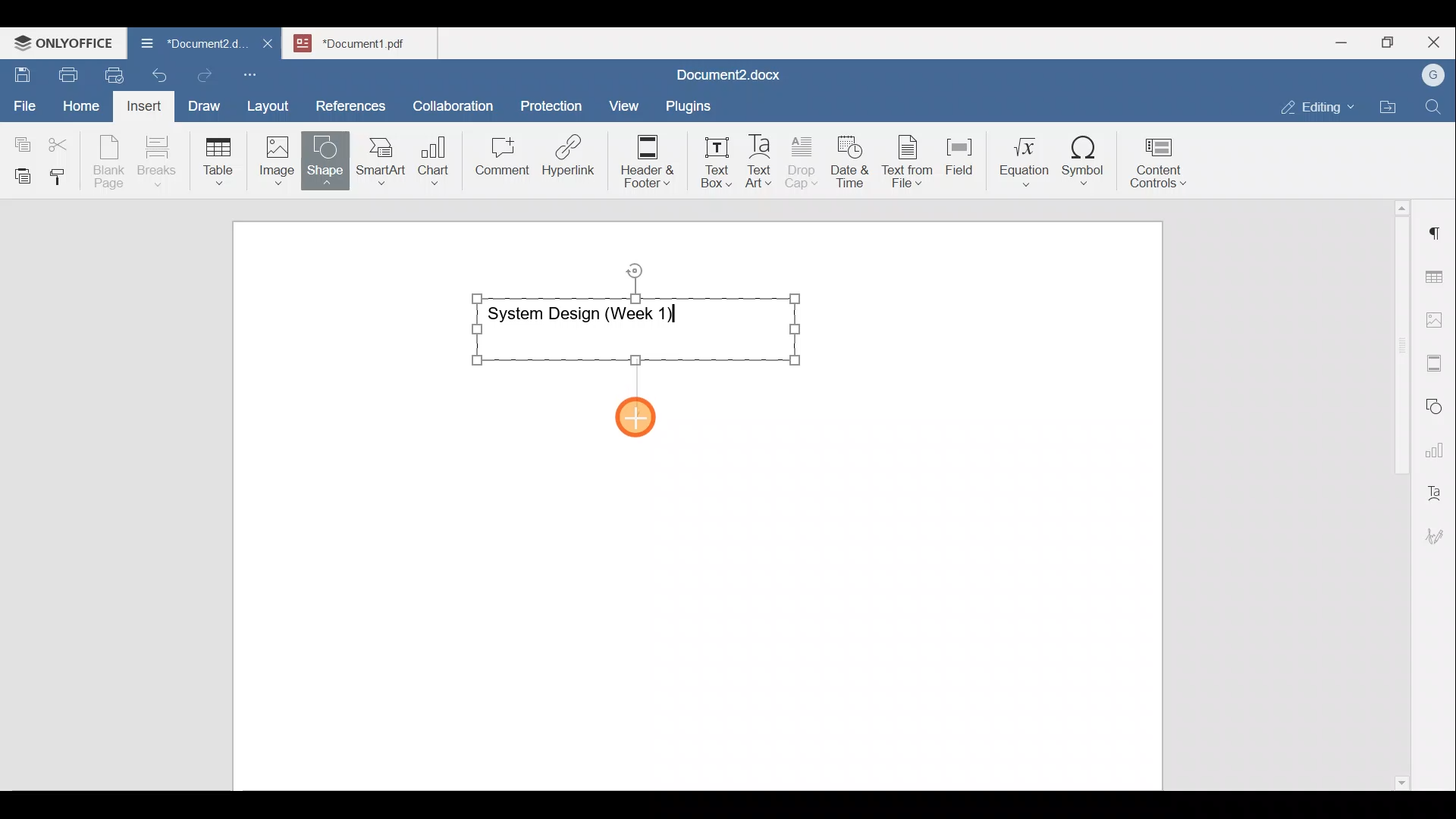 This screenshot has height=819, width=1456. I want to click on View, so click(625, 101).